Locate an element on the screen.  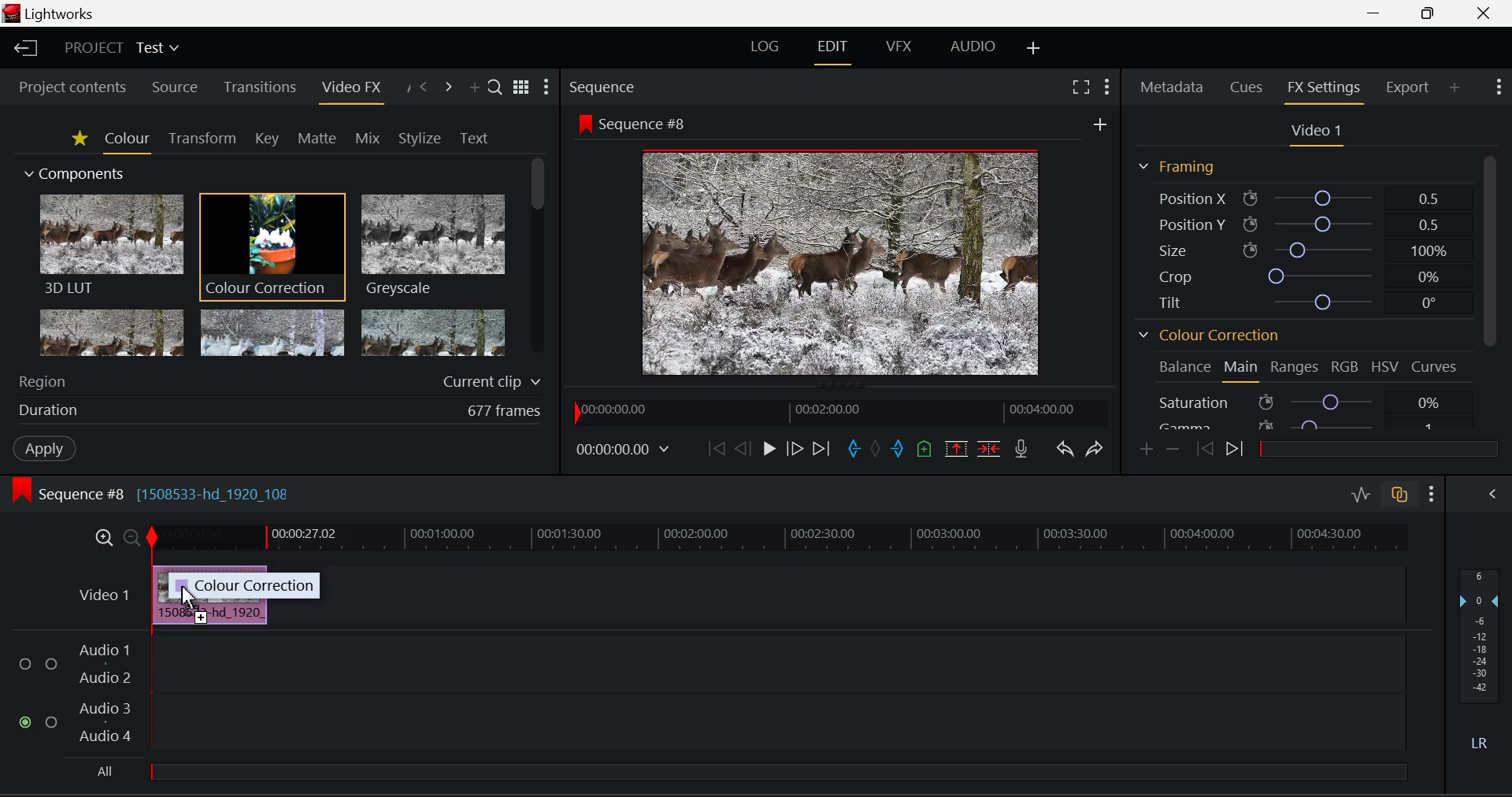
Play is located at coordinates (767, 450).